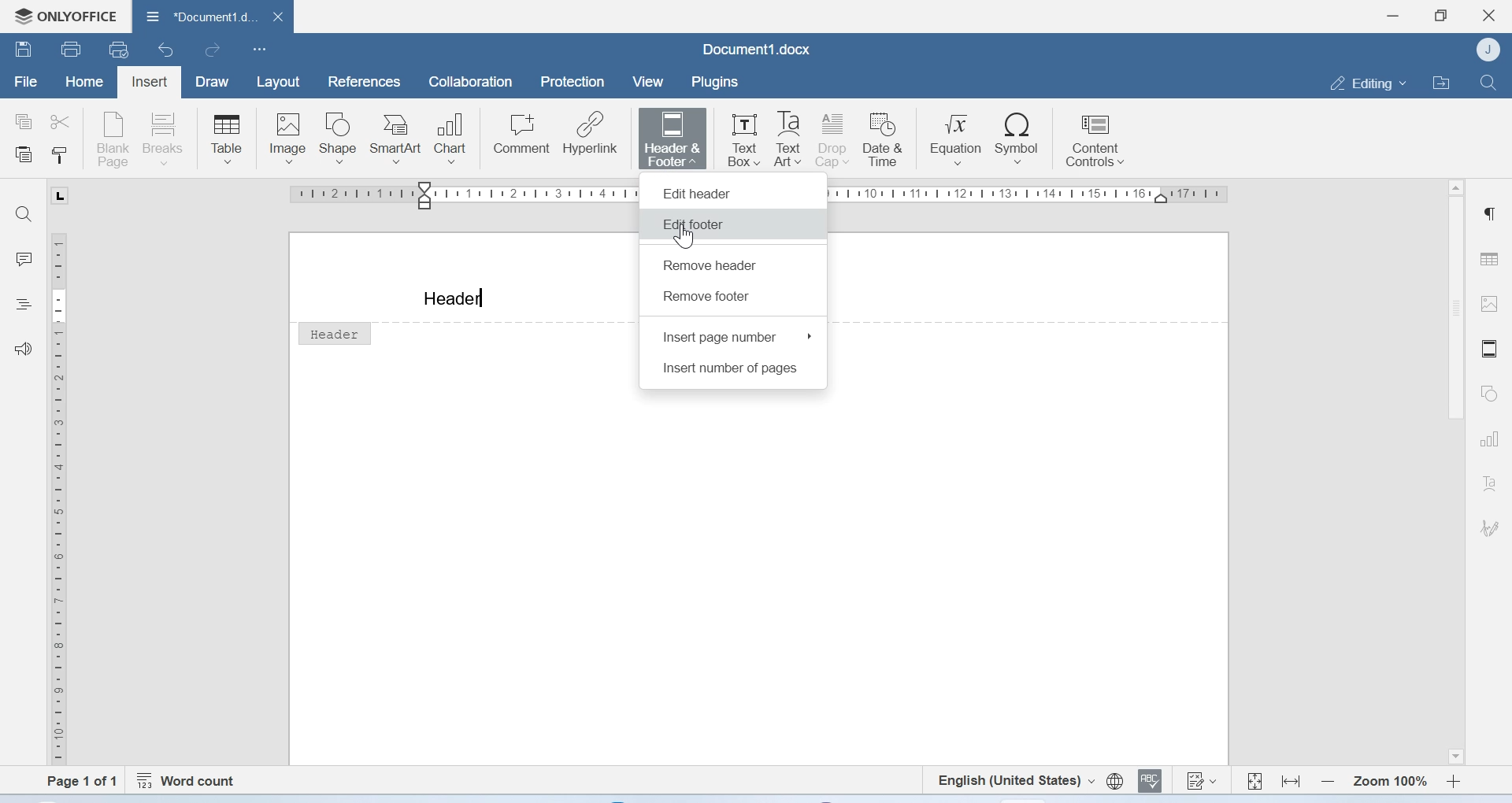 The width and height of the screenshot is (1512, 803). I want to click on Fit to width, so click(1290, 779).